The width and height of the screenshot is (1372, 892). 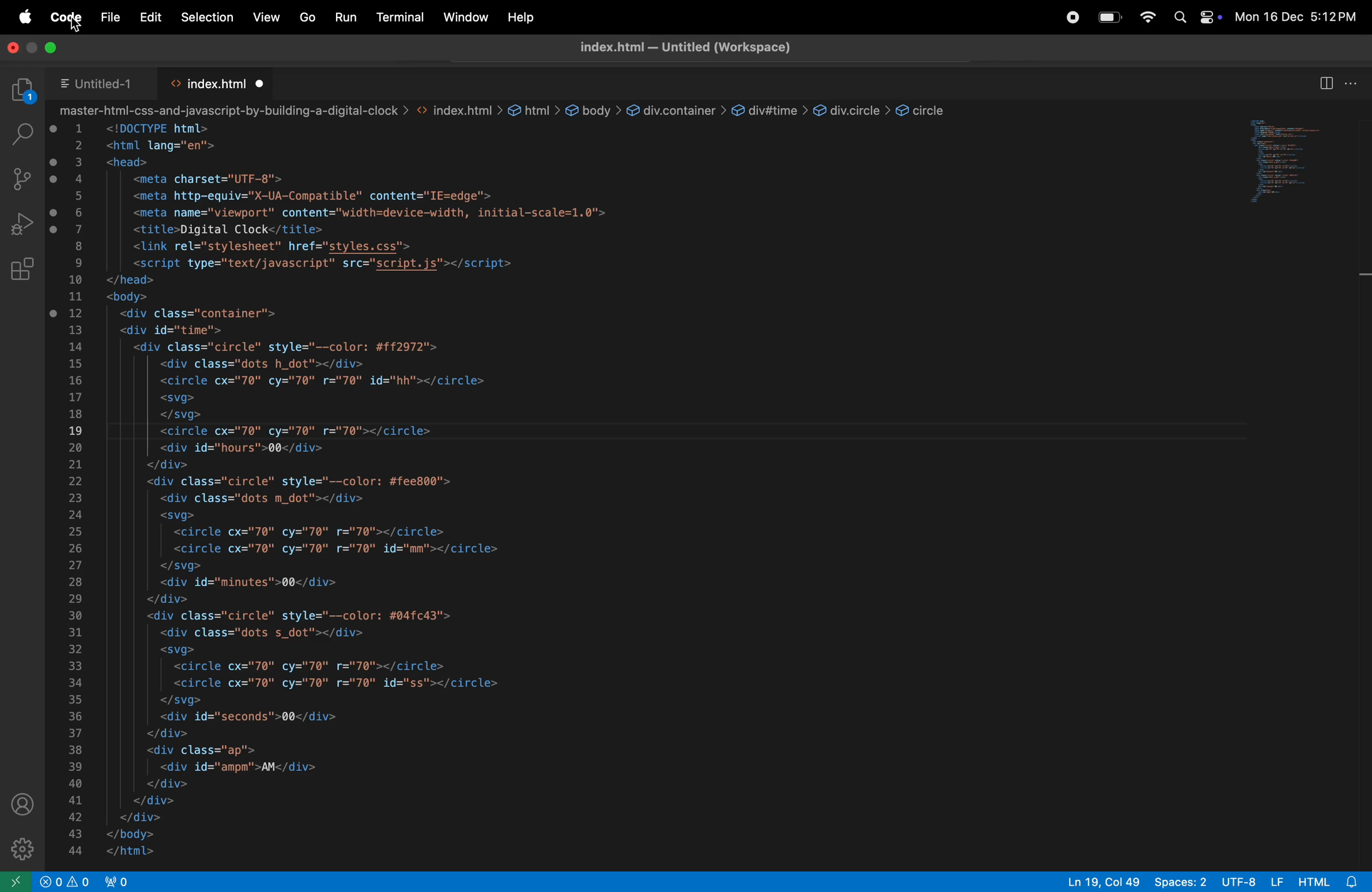 What do you see at coordinates (249, 447) in the screenshot?
I see `| <div id="hours">00</div>` at bounding box center [249, 447].